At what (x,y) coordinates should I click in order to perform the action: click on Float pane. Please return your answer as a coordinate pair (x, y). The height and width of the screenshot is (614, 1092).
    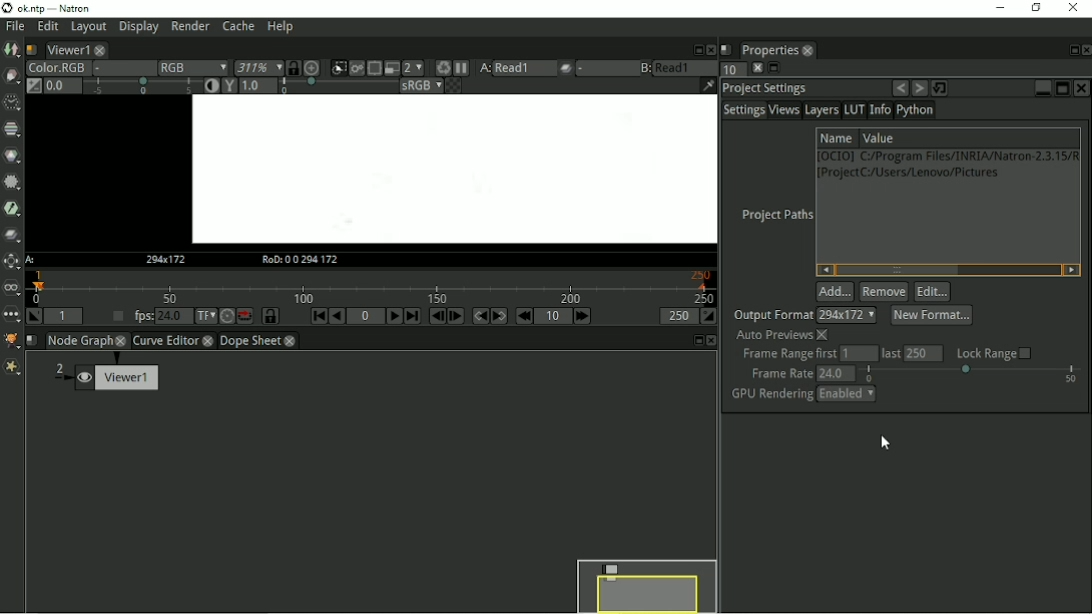
    Looking at the image, I should click on (1071, 50).